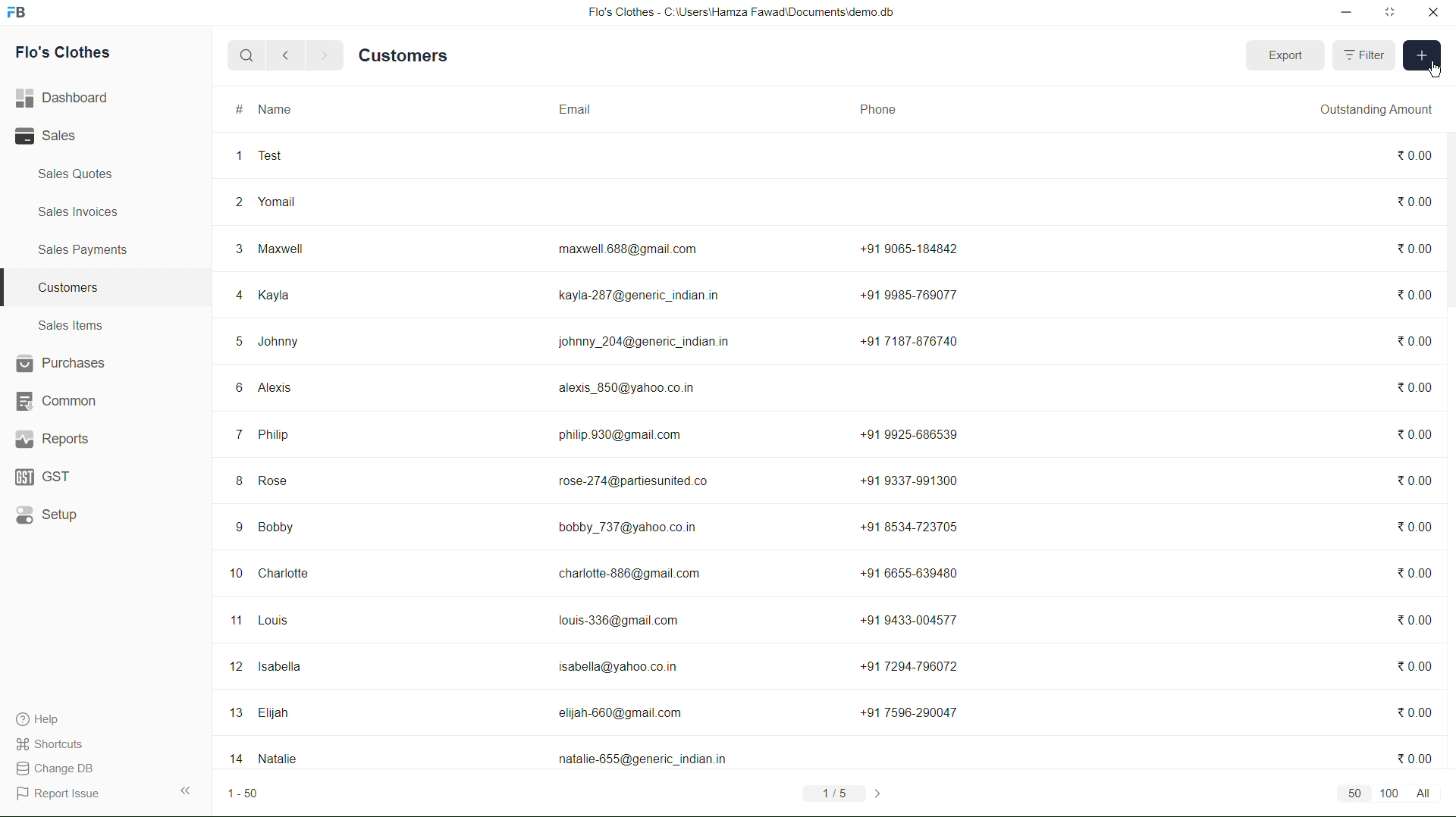  What do you see at coordinates (1411, 250) in the screenshot?
I see `30.00` at bounding box center [1411, 250].